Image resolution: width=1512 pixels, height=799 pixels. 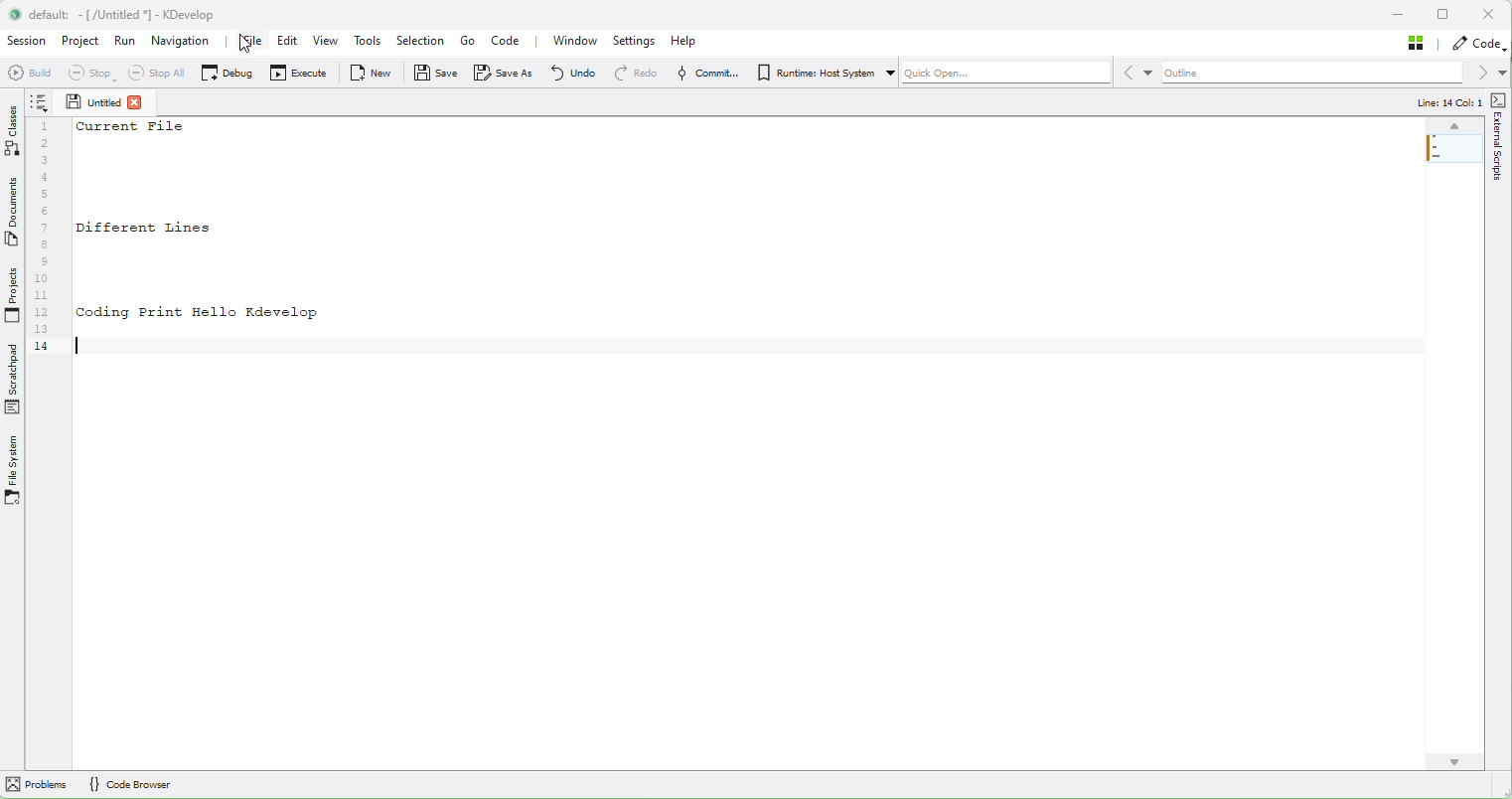 What do you see at coordinates (1334, 73) in the screenshot?
I see `Outline` at bounding box center [1334, 73].